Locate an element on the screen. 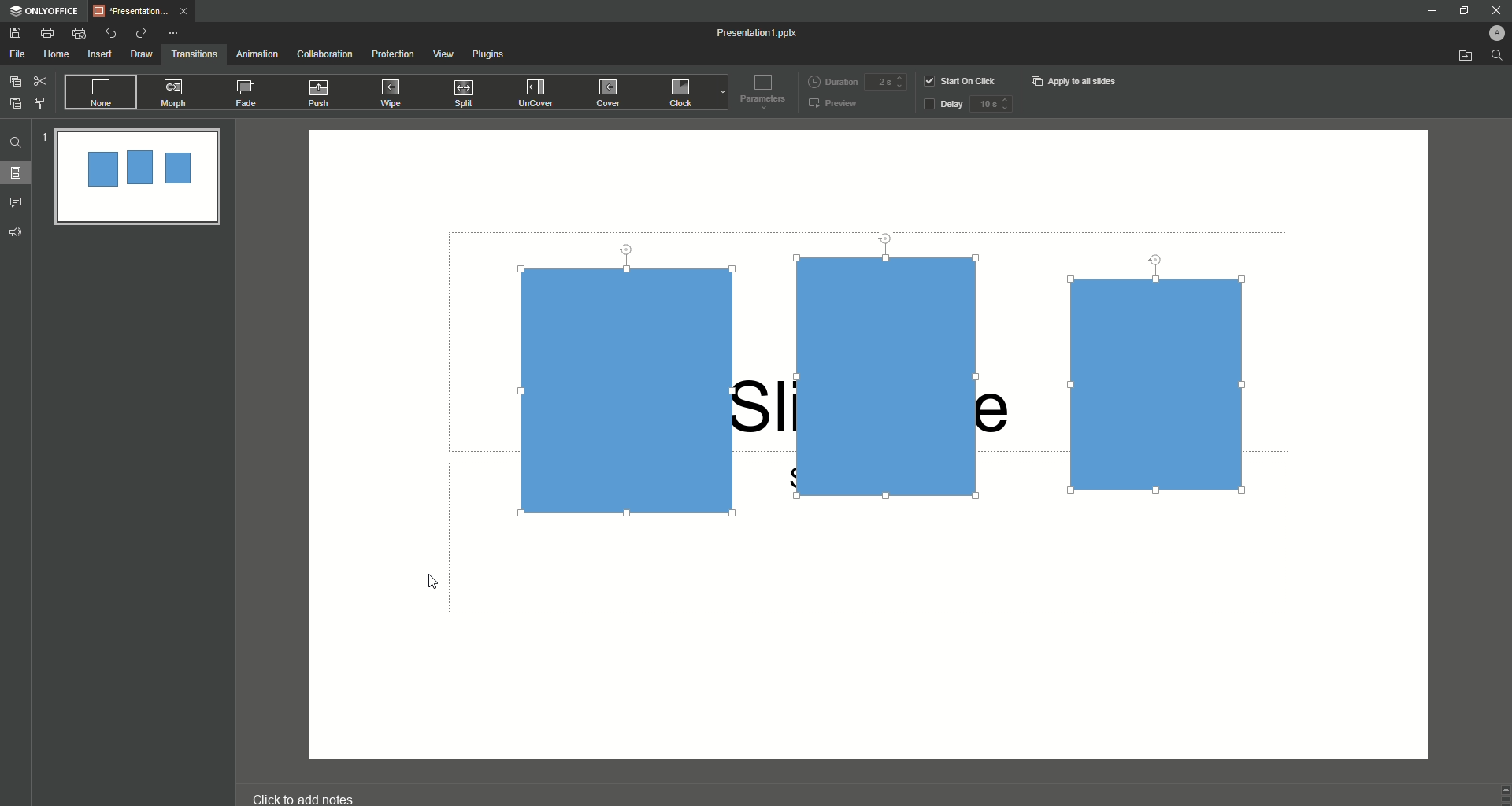 This screenshot has width=1512, height=806. dropdown is located at coordinates (720, 94).